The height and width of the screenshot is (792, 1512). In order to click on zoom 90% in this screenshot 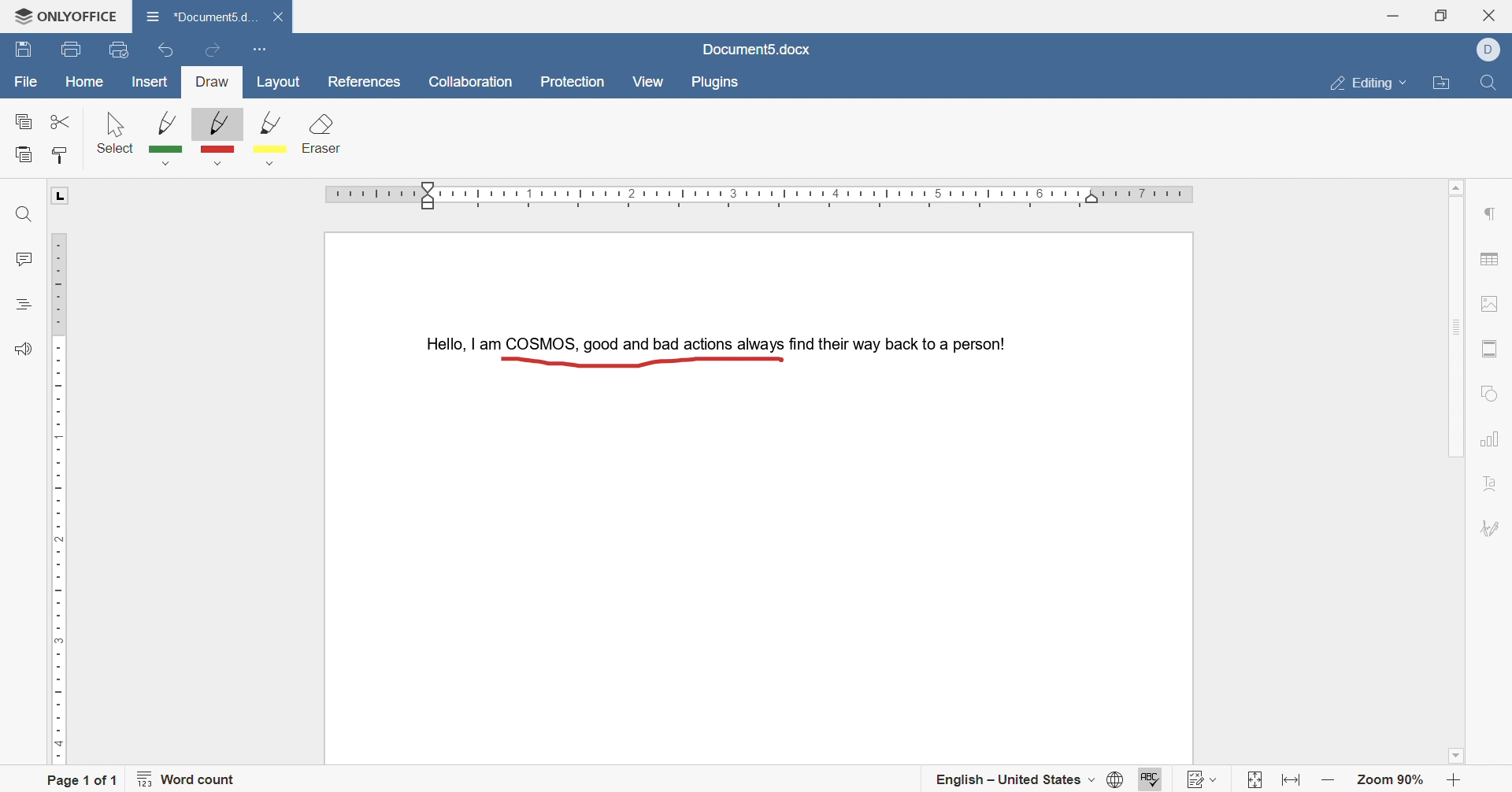, I will do `click(1392, 781)`.